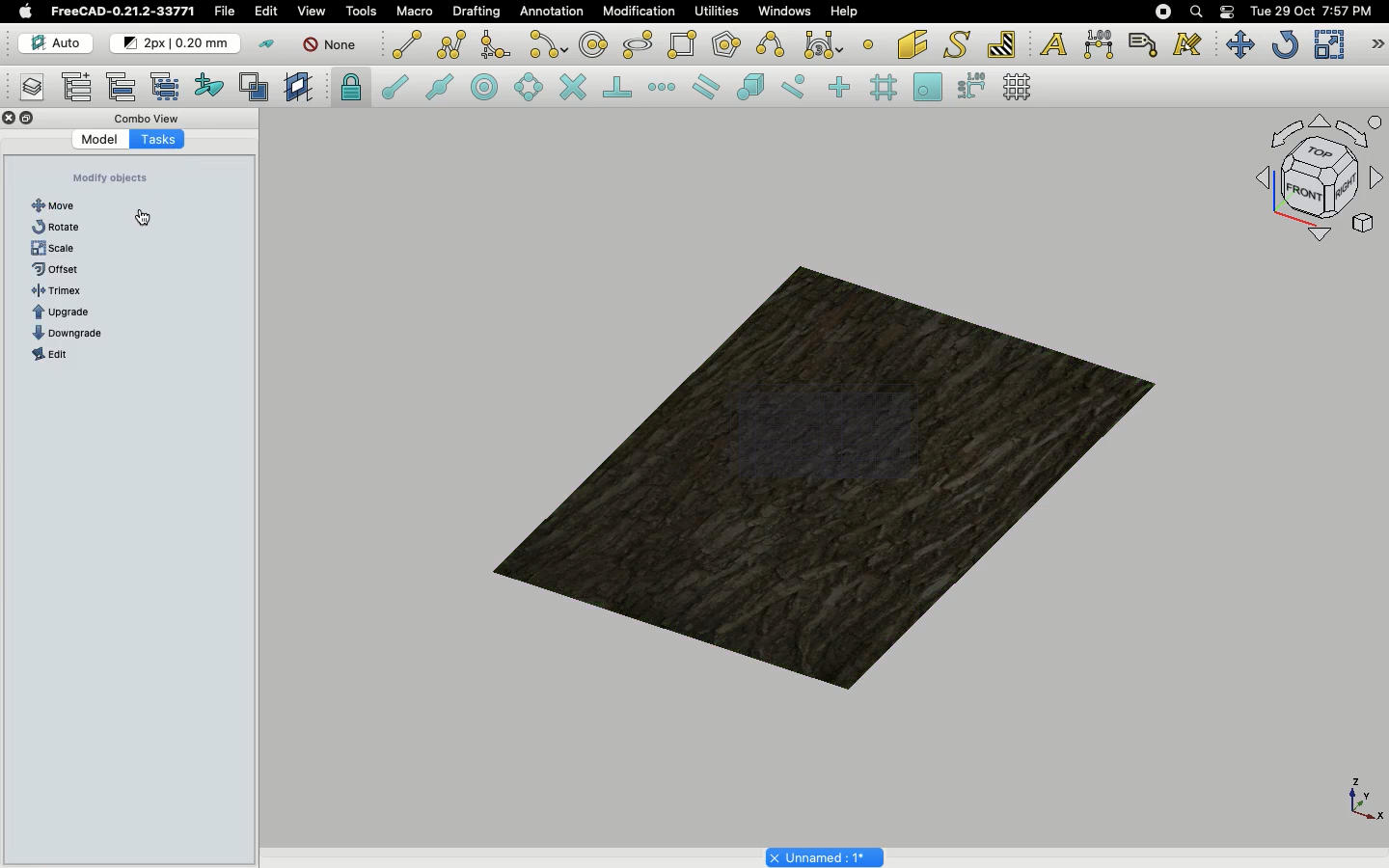  What do you see at coordinates (361, 12) in the screenshot?
I see `Tools` at bounding box center [361, 12].